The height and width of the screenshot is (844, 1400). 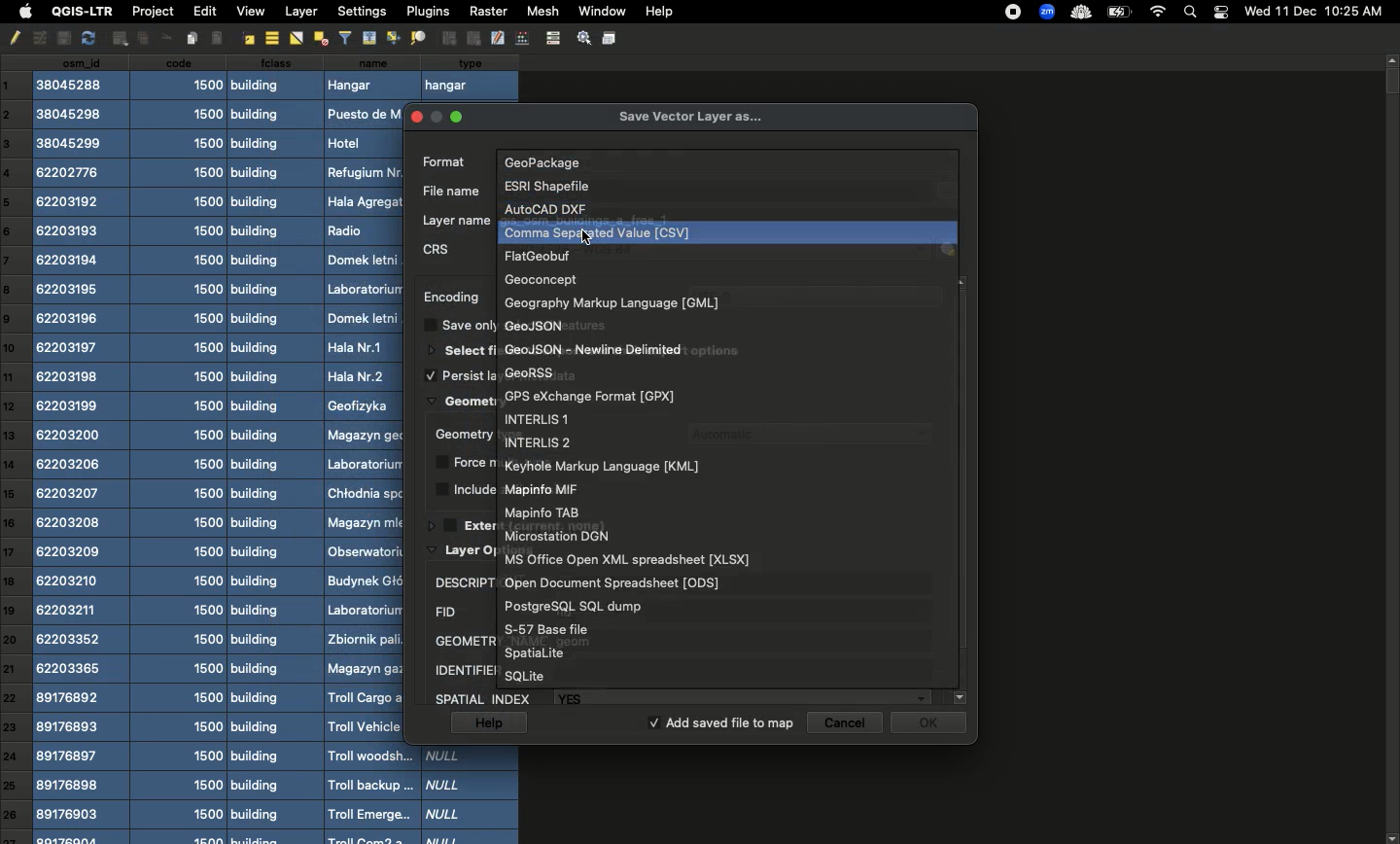 I want to click on Charge, so click(x=1118, y=13).